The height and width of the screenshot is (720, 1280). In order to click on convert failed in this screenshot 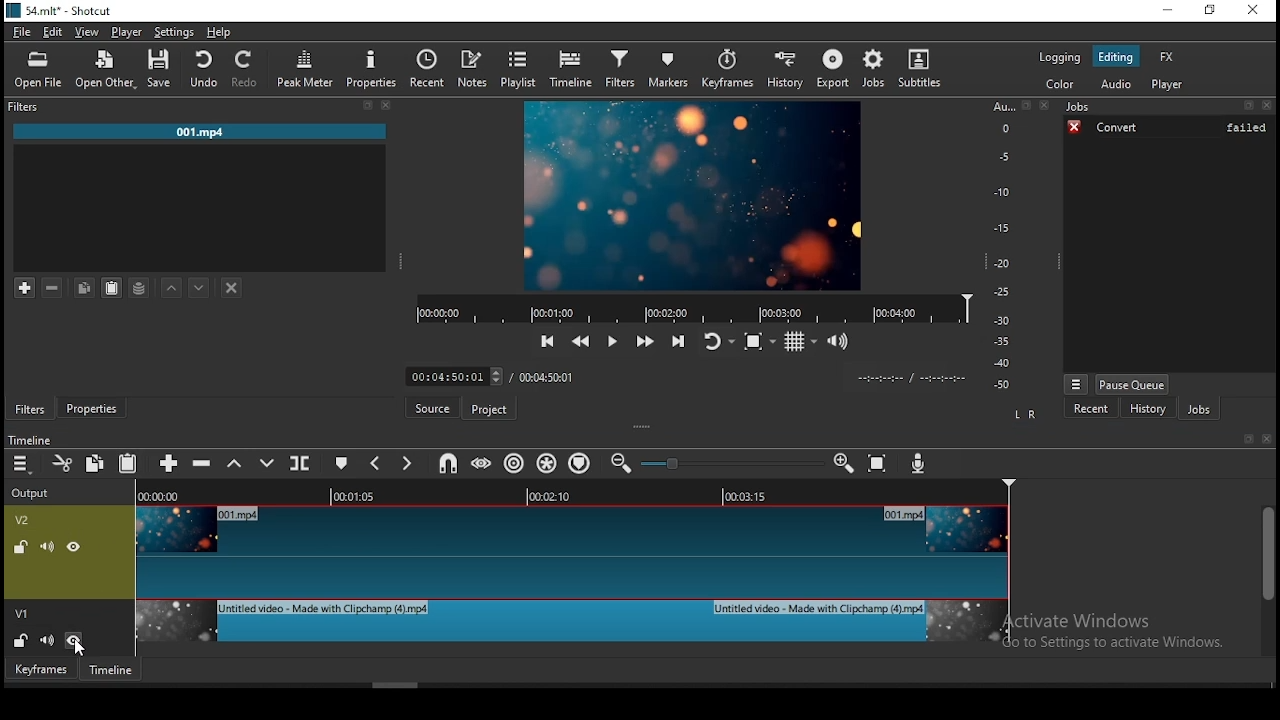, I will do `click(1168, 127)`.